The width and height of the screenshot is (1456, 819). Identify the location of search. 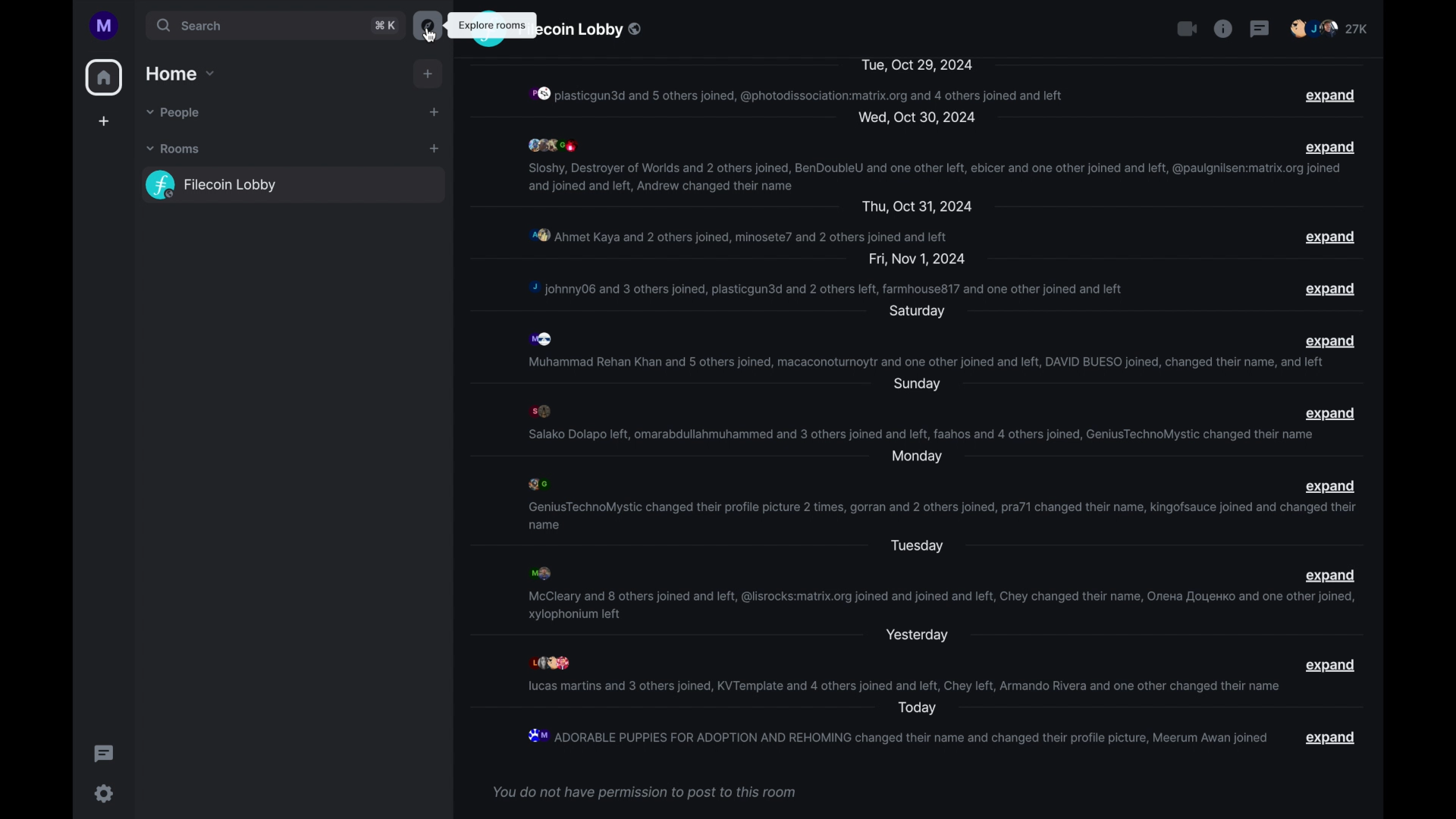
(254, 27).